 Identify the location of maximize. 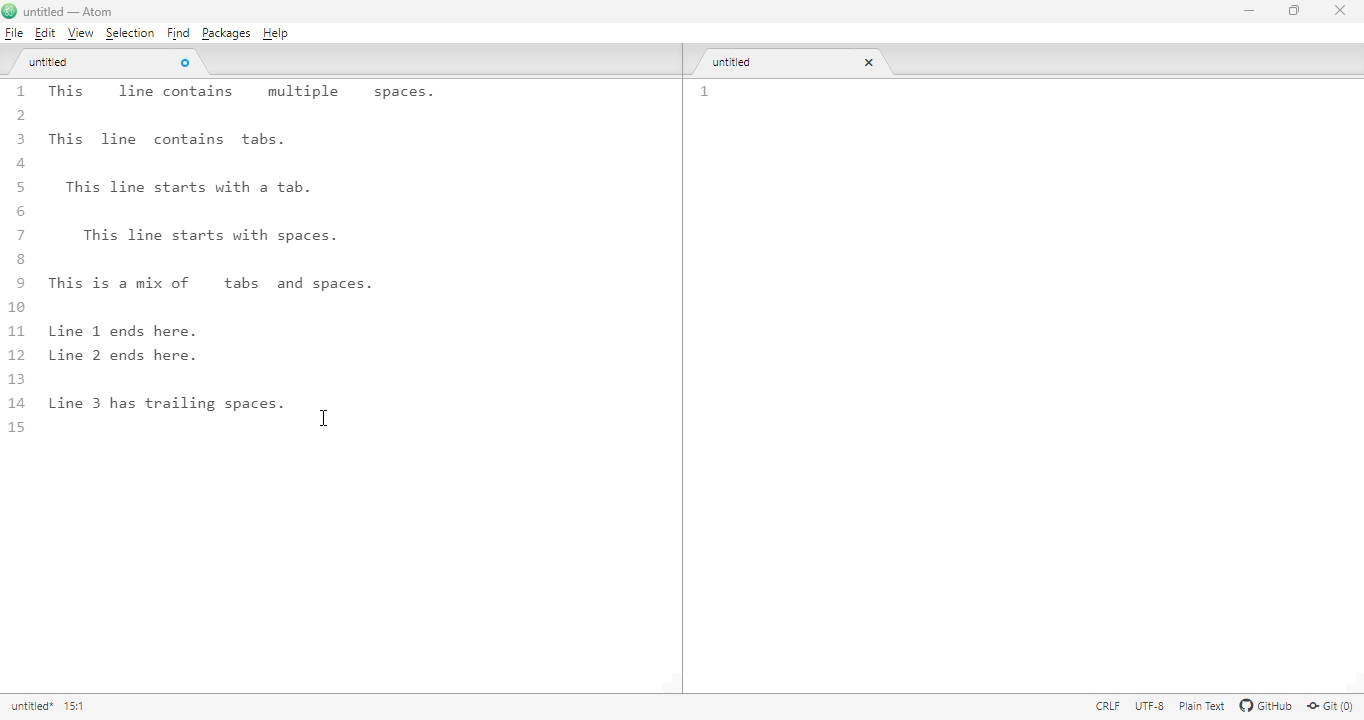
(1296, 9).